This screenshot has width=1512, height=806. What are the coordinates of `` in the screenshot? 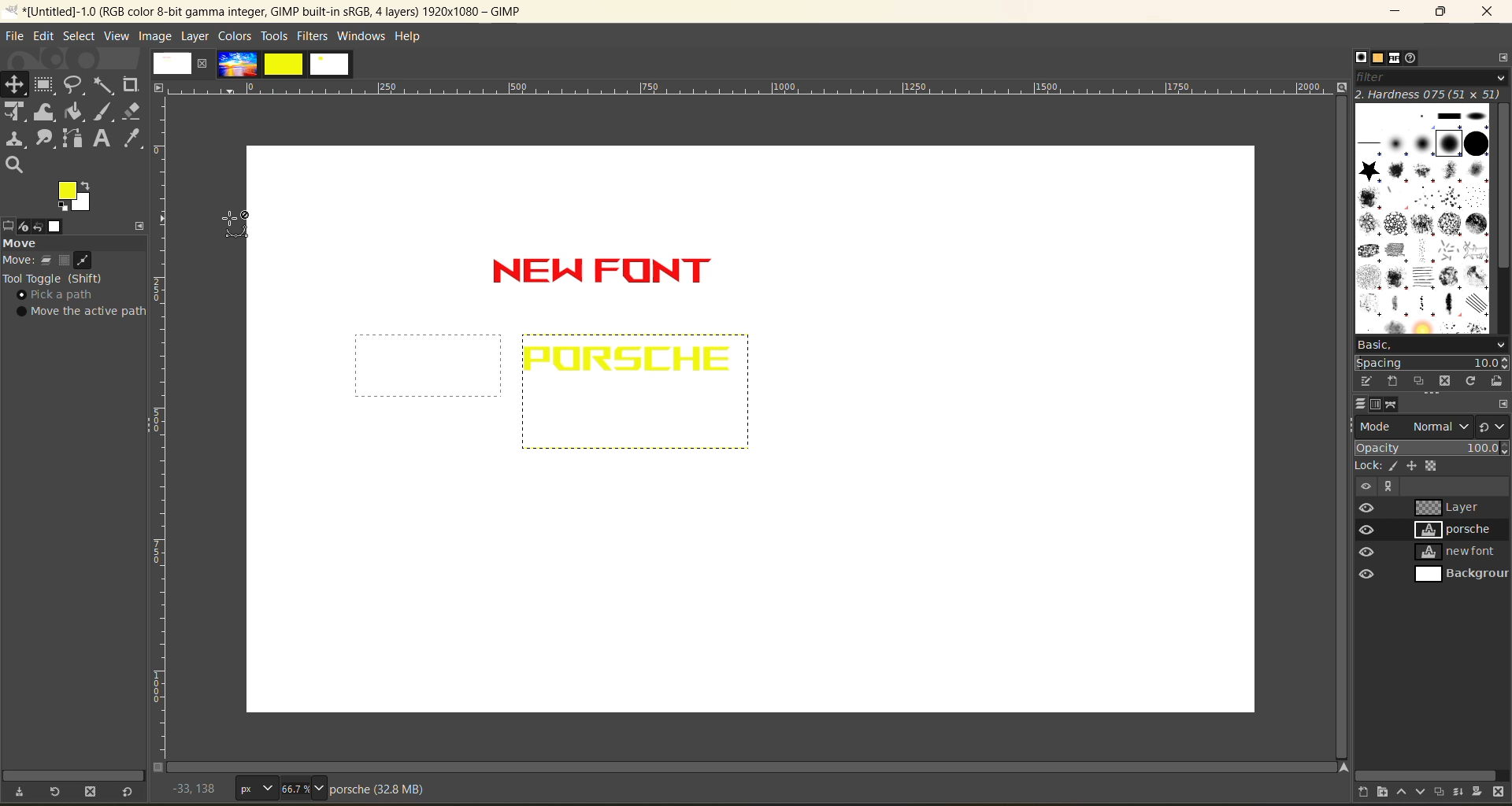 It's located at (1387, 487).